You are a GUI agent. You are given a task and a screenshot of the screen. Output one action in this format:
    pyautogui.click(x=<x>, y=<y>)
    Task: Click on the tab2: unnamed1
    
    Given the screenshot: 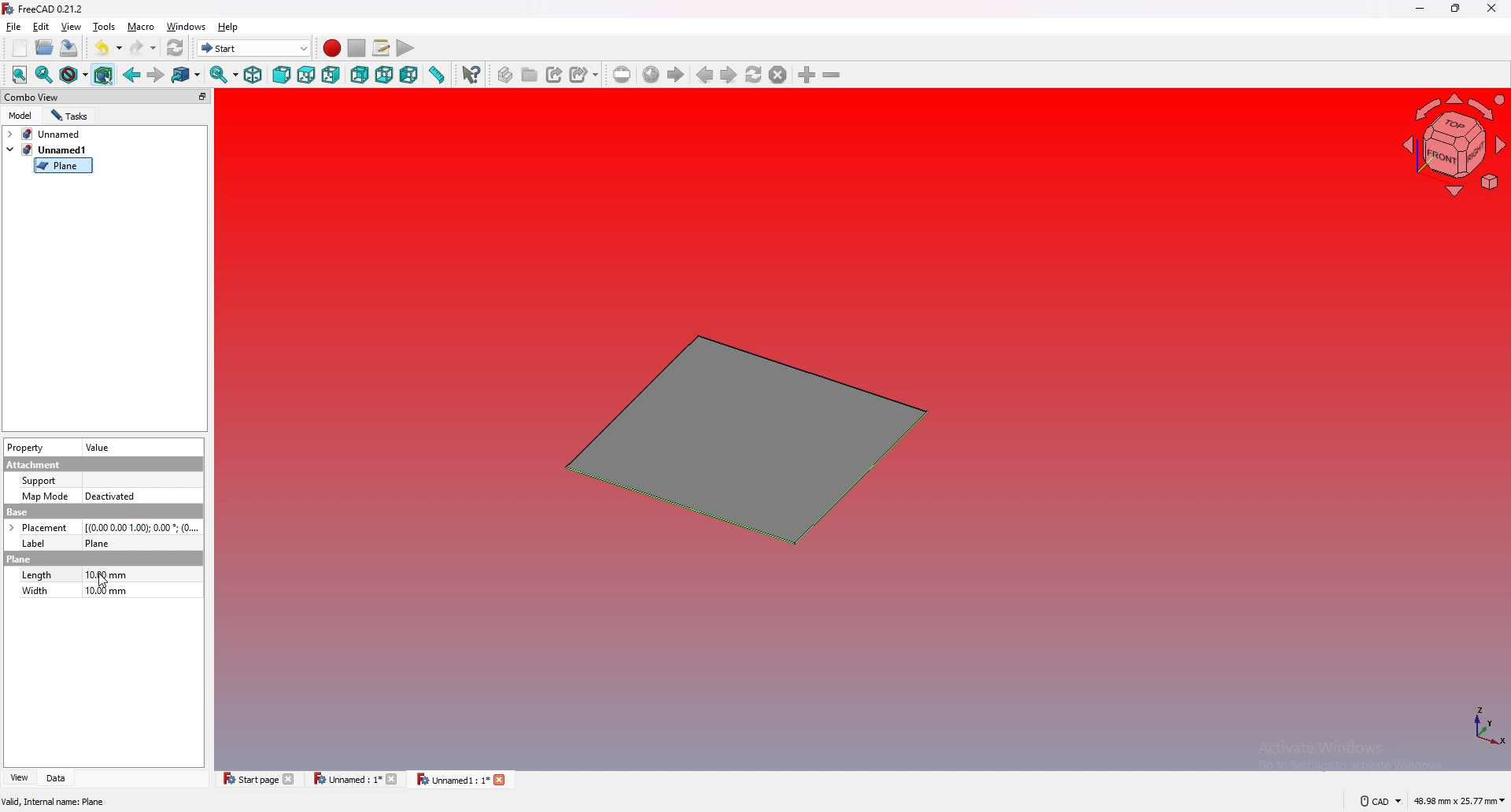 What is the action you would take?
    pyautogui.click(x=46, y=149)
    